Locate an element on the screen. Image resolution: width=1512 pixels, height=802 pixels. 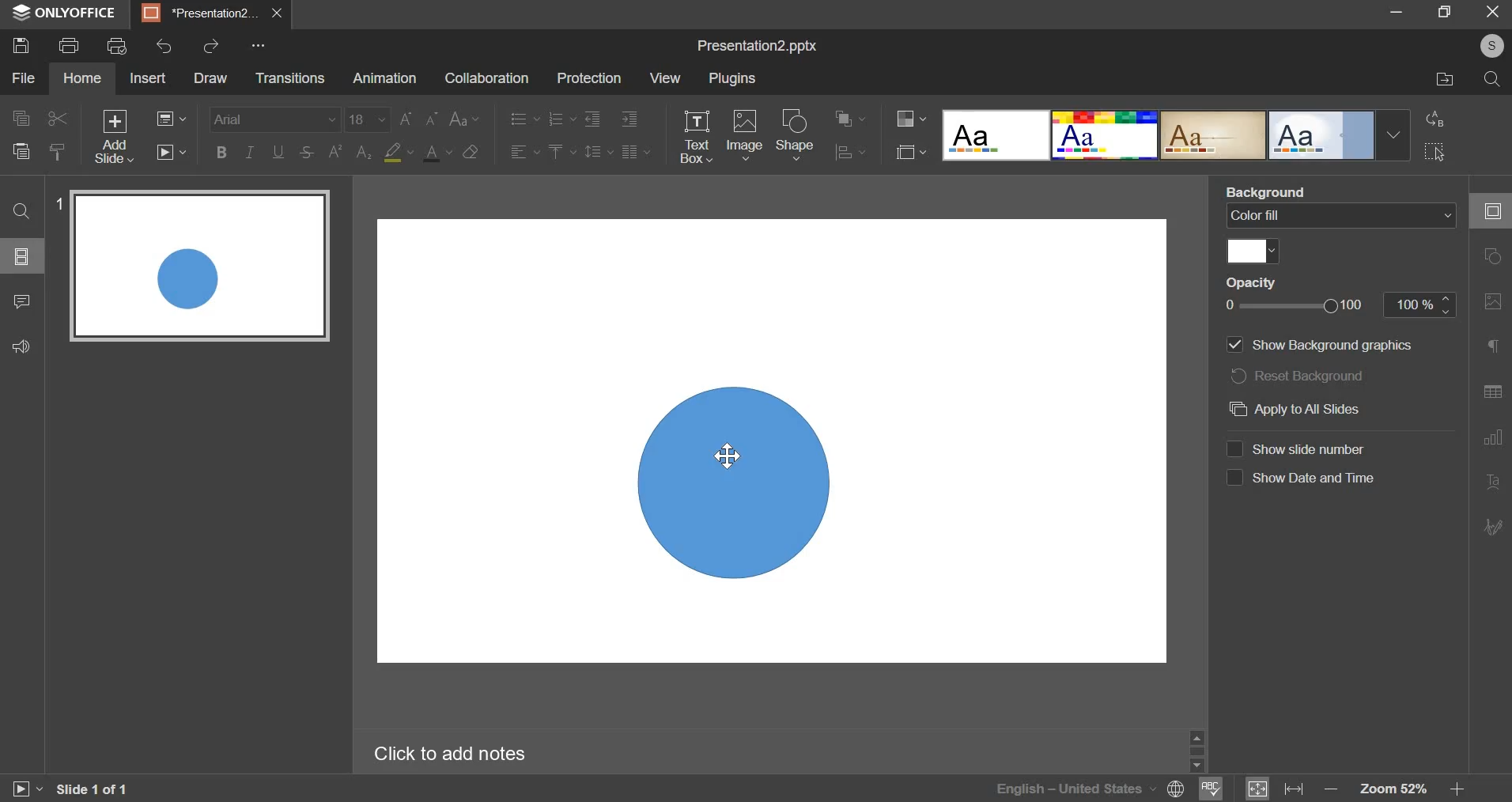
font is located at coordinates (274, 119).